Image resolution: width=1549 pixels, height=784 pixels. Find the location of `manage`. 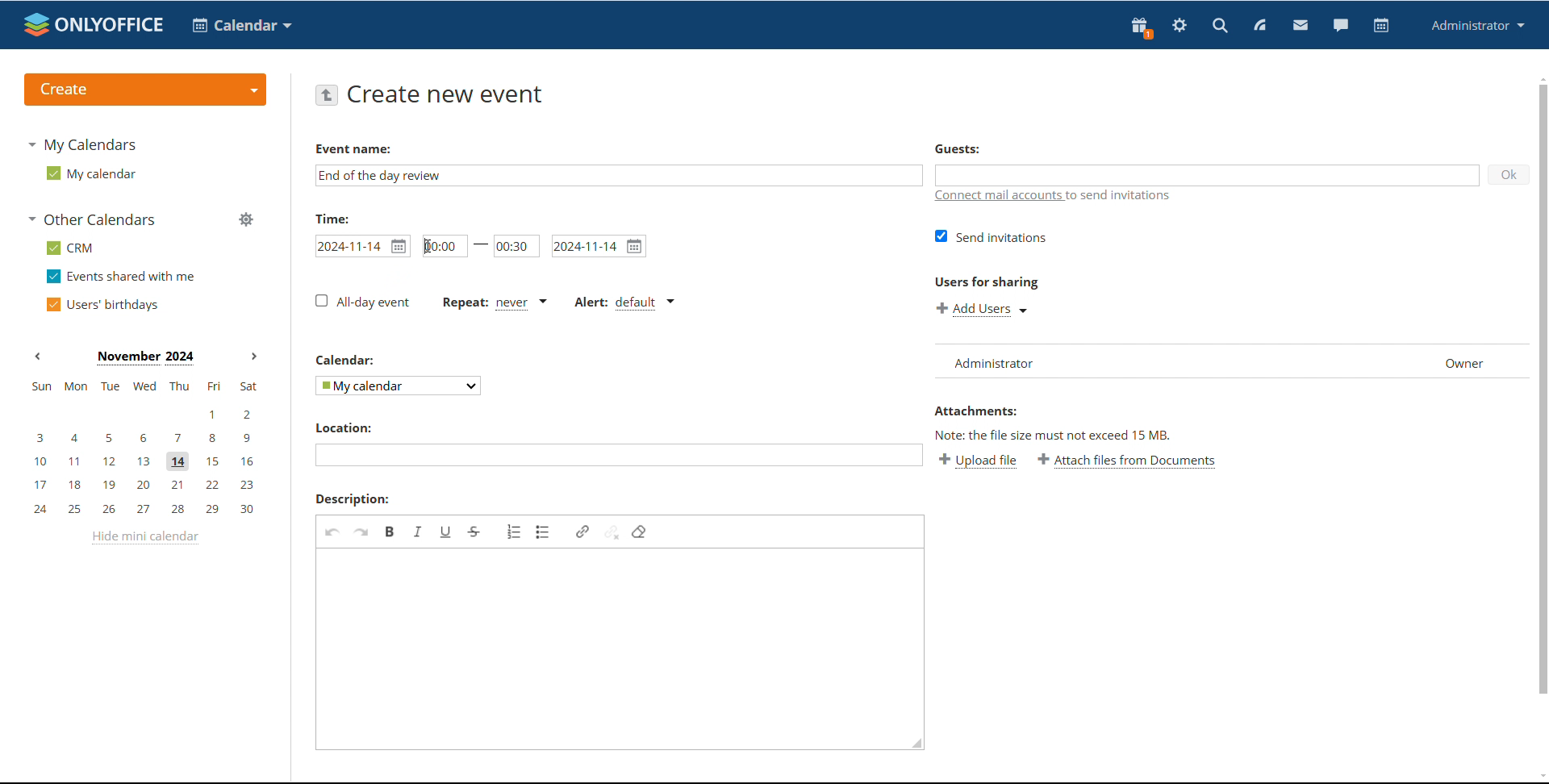

manage is located at coordinates (247, 221).